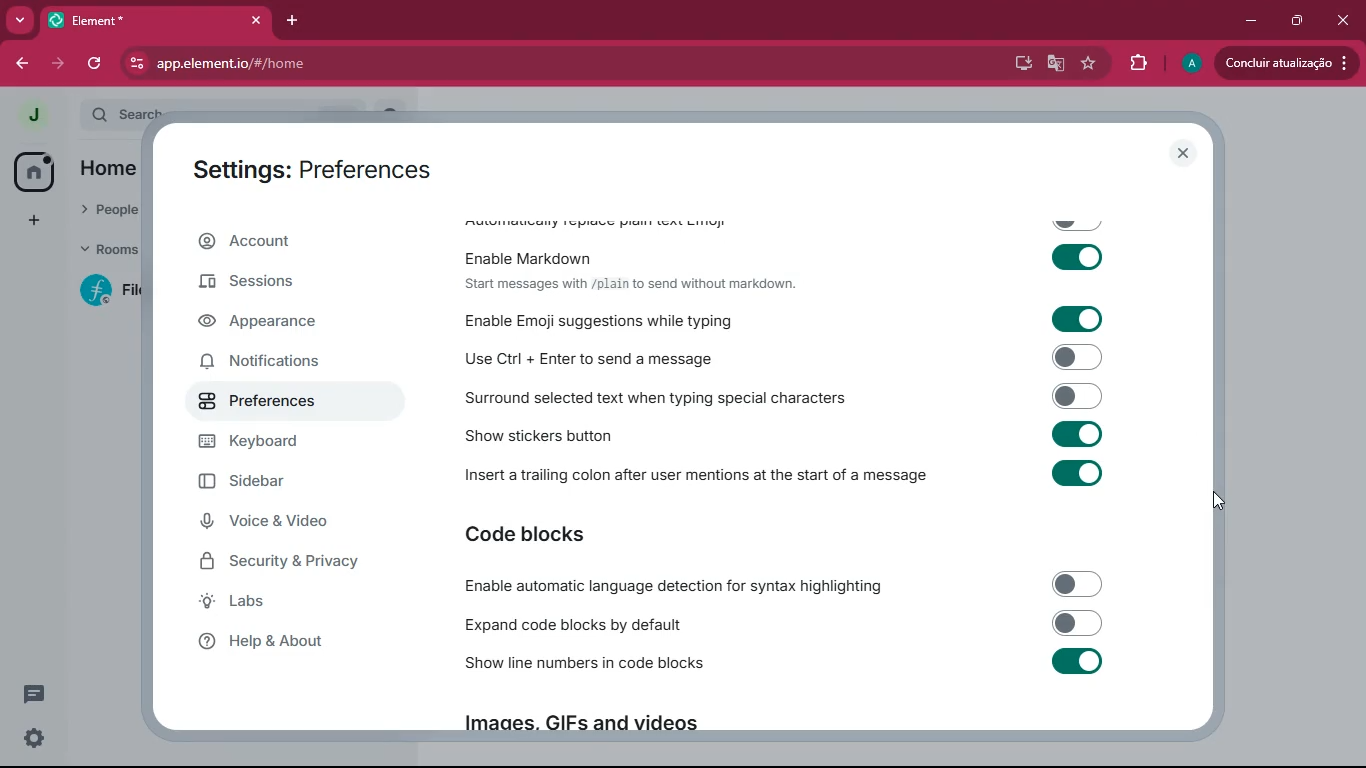 This screenshot has height=768, width=1366. Describe the element at coordinates (780, 399) in the screenshot. I see `Surround selected text when typing special characters` at that location.